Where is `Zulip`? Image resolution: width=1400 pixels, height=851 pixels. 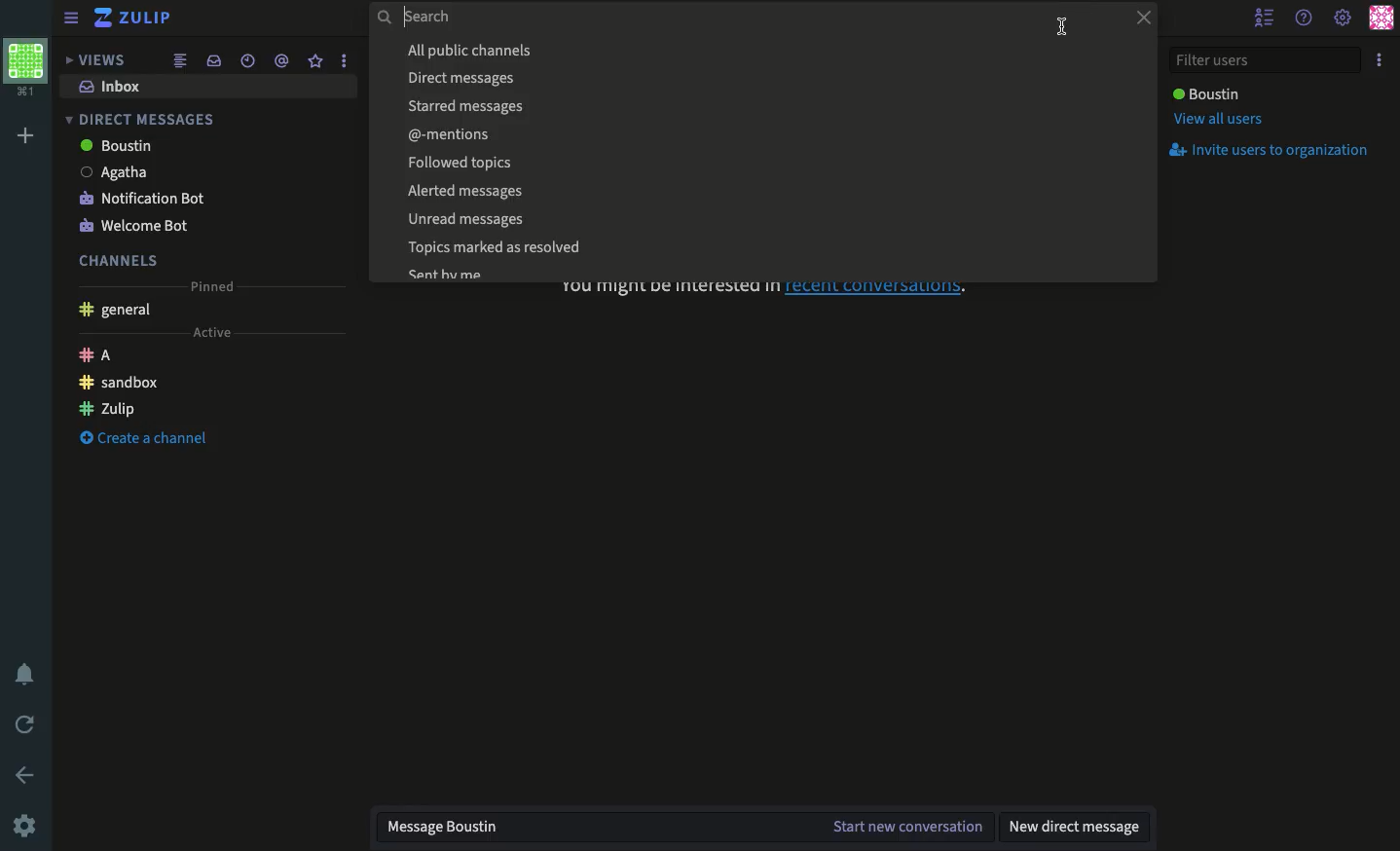
Zulip is located at coordinates (136, 18).